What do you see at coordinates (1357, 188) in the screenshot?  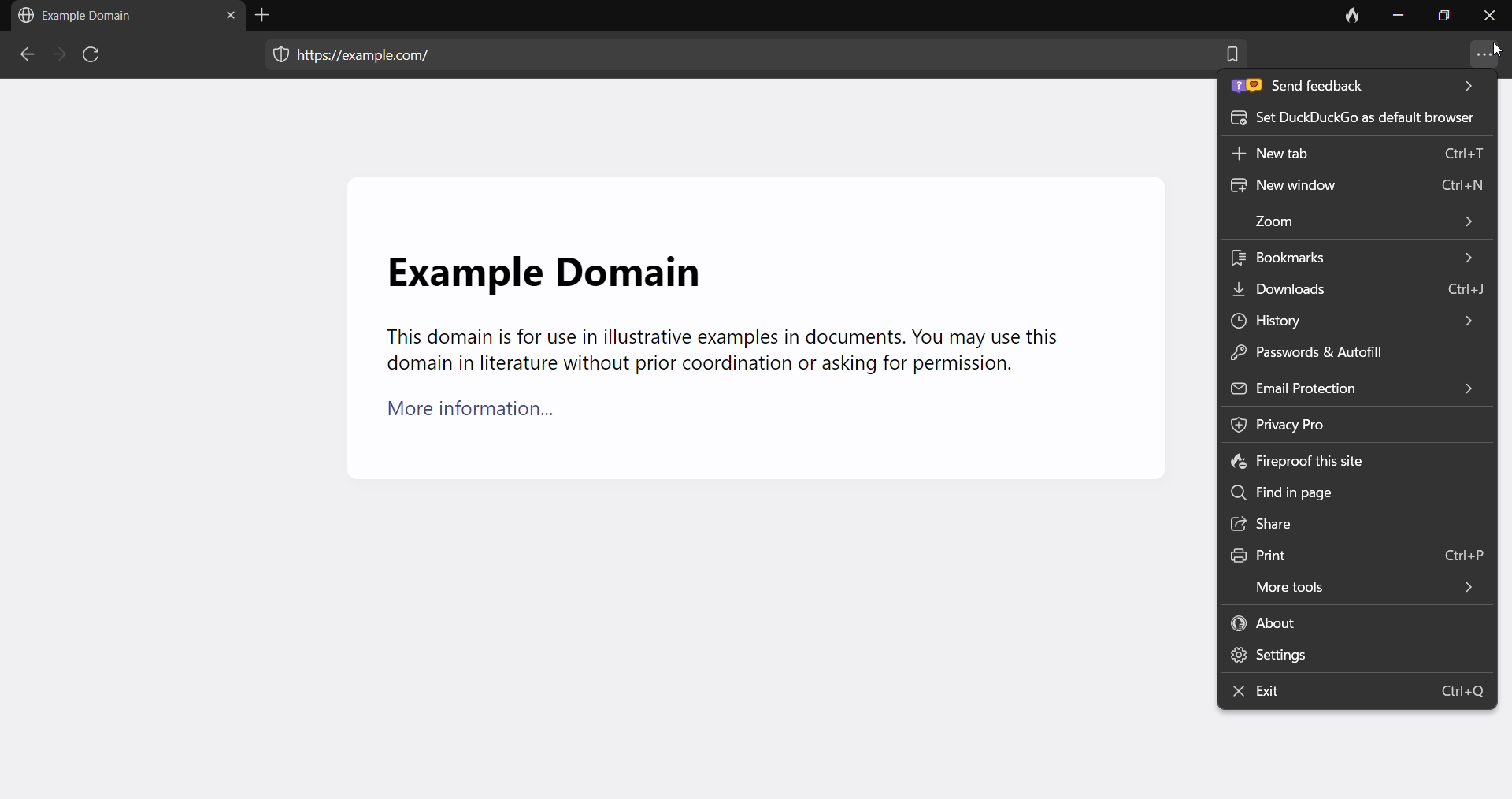 I see `new window` at bounding box center [1357, 188].